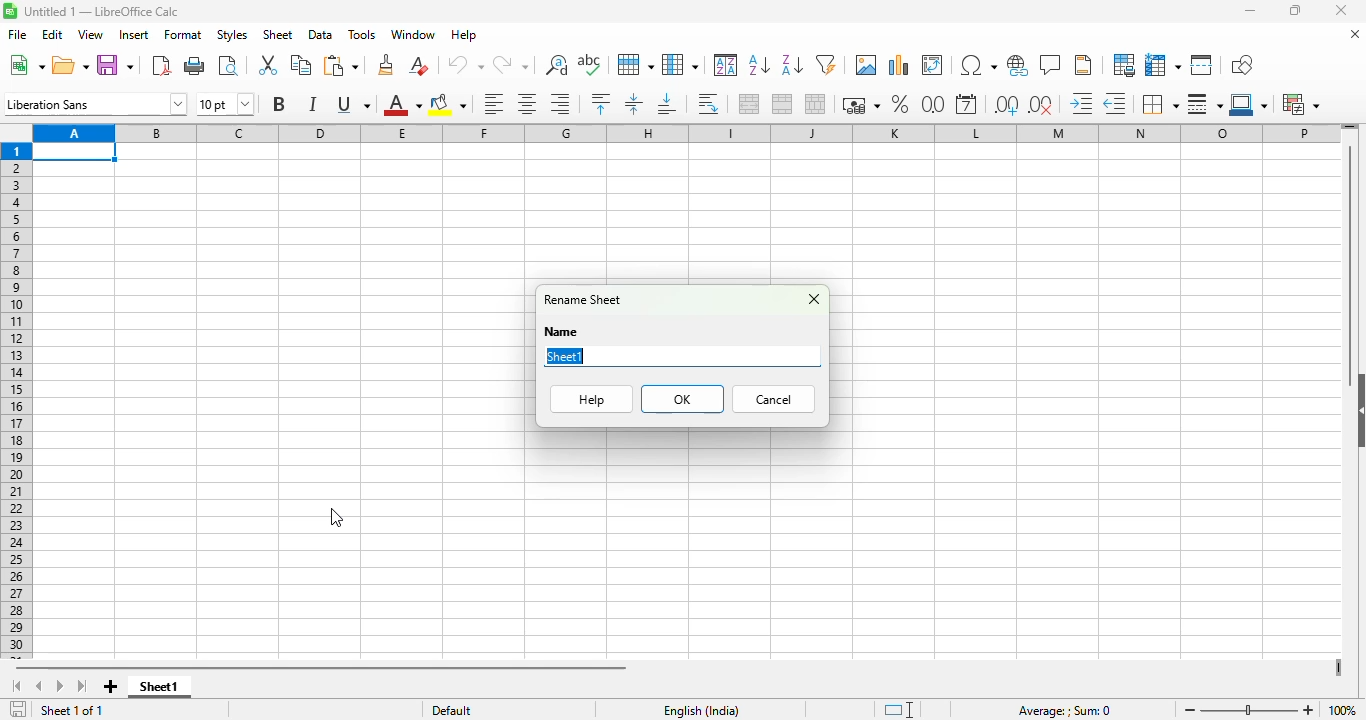 The image size is (1366, 720). I want to click on split window, so click(1202, 65).